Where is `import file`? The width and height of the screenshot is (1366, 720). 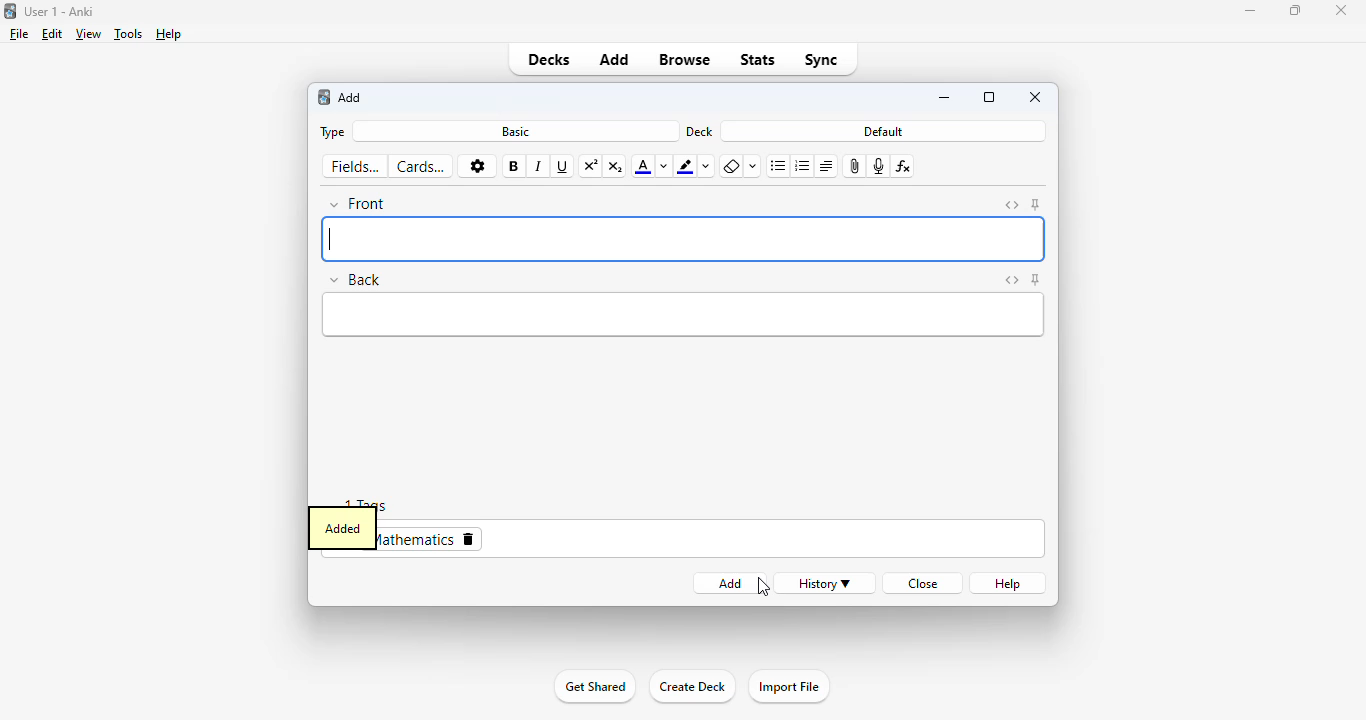 import file is located at coordinates (788, 687).